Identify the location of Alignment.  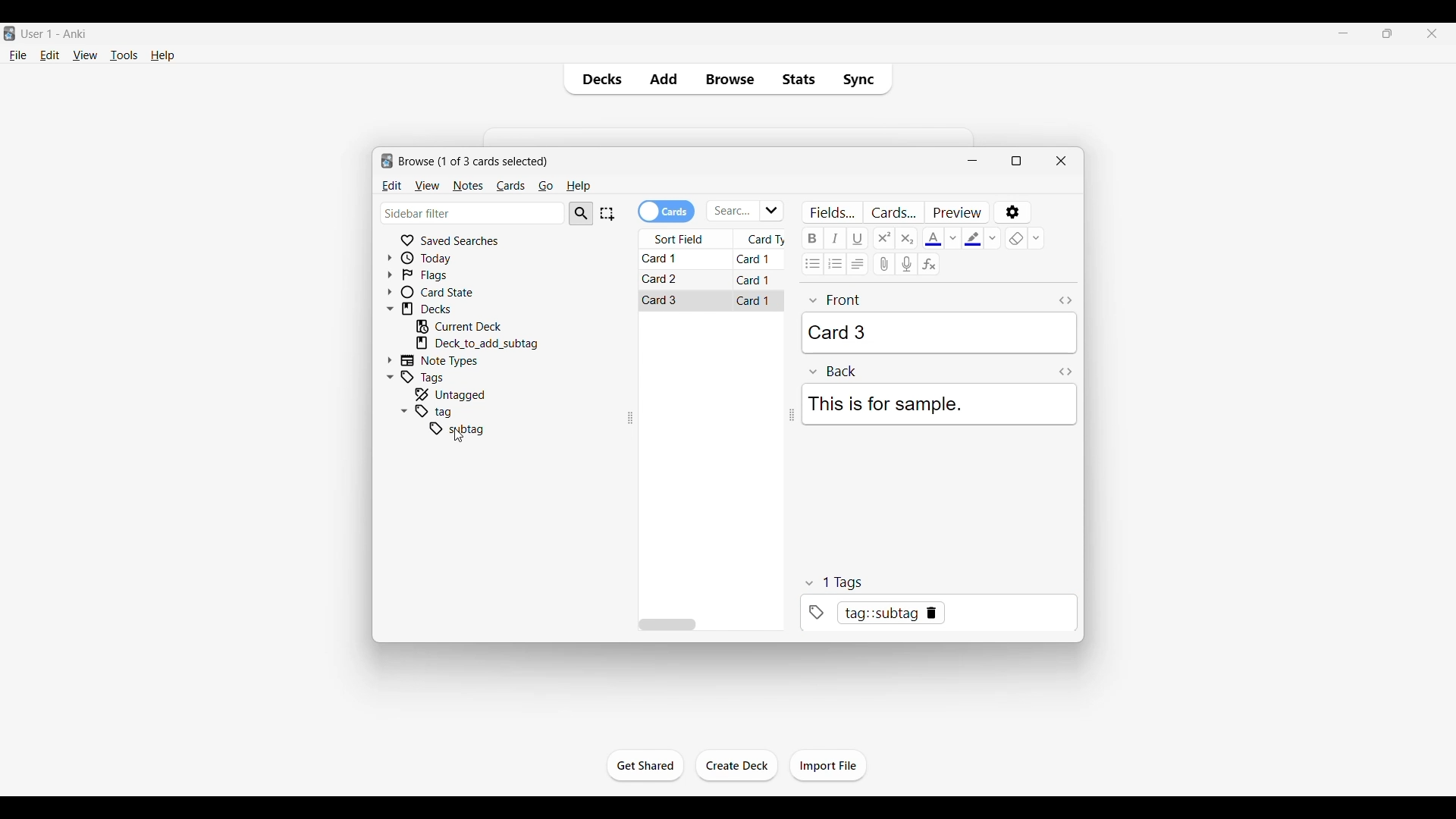
(857, 264).